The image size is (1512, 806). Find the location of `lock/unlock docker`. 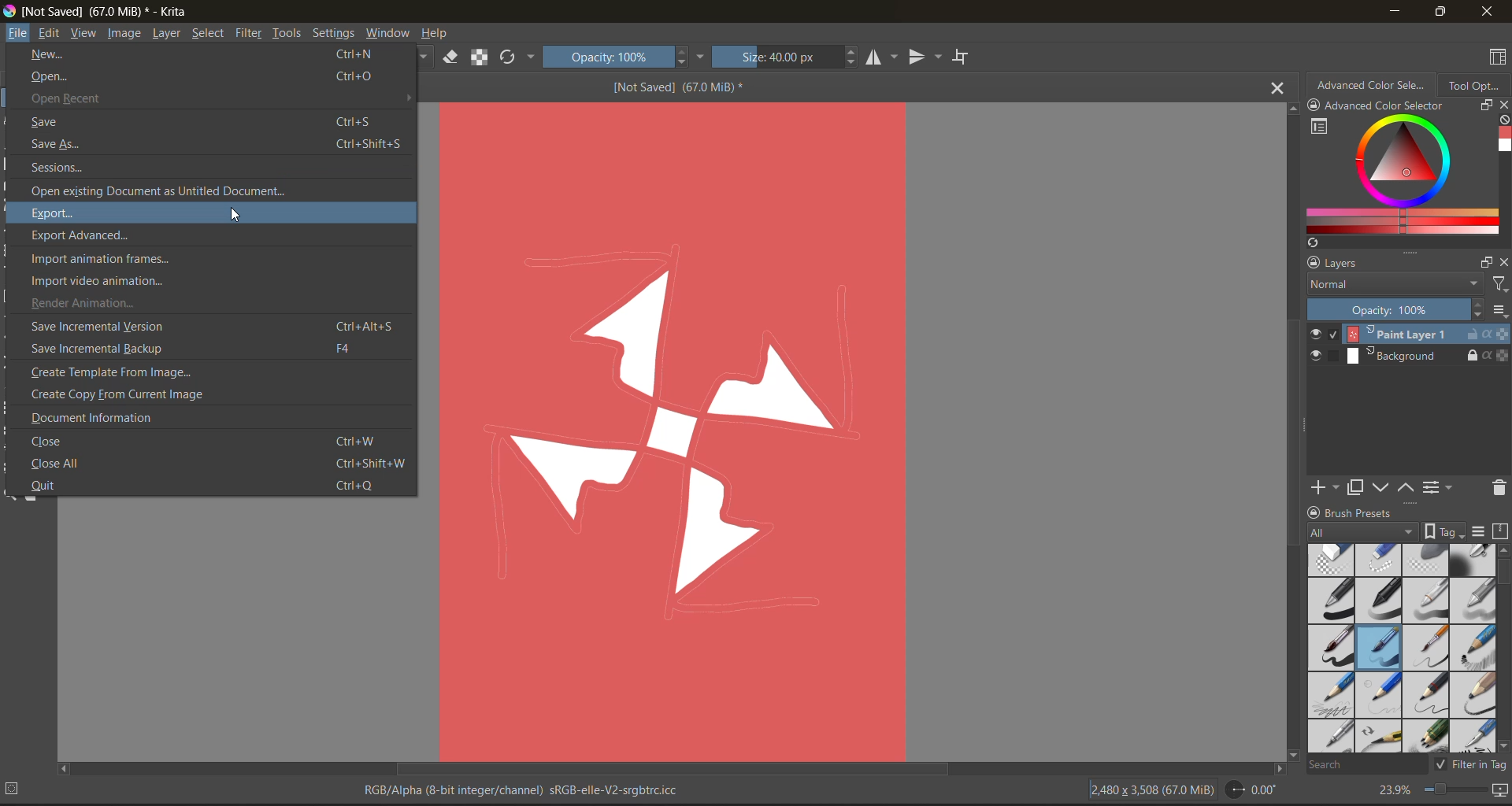

lock/unlock docker is located at coordinates (1314, 511).